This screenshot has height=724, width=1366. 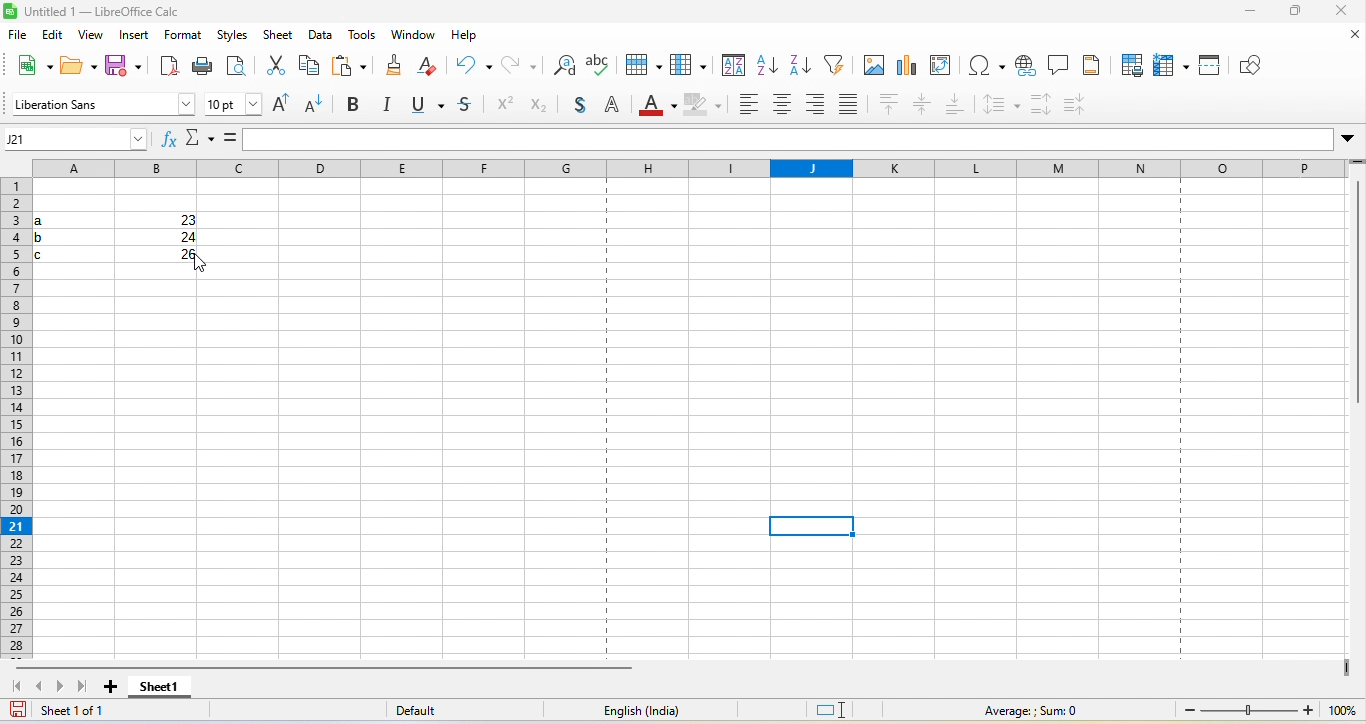 I want to click on align bottom, so click(x=953, y=104).